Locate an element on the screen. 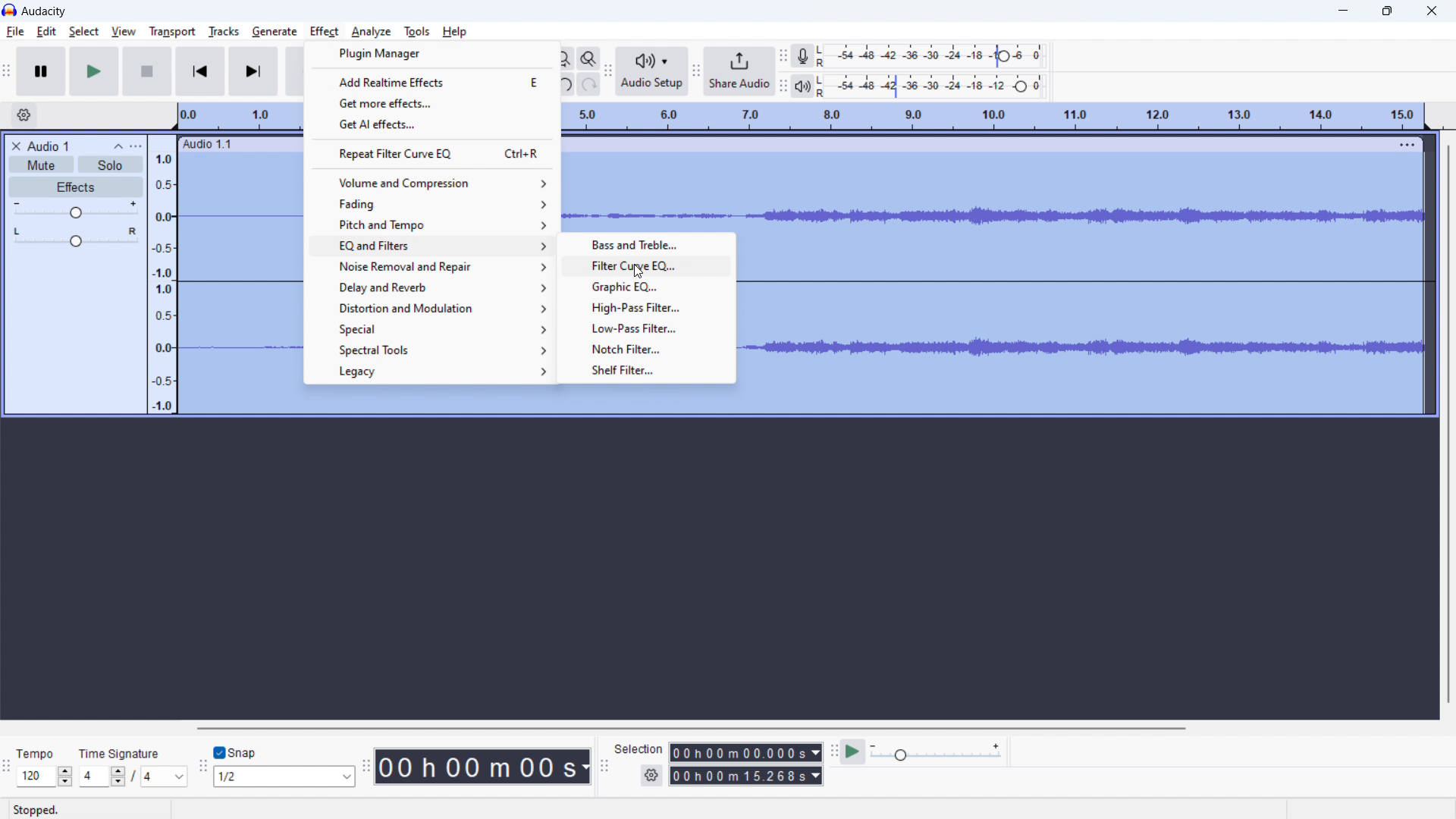 This screenshot has height=819, width=1456. record level is located at coordinates (935, 56).